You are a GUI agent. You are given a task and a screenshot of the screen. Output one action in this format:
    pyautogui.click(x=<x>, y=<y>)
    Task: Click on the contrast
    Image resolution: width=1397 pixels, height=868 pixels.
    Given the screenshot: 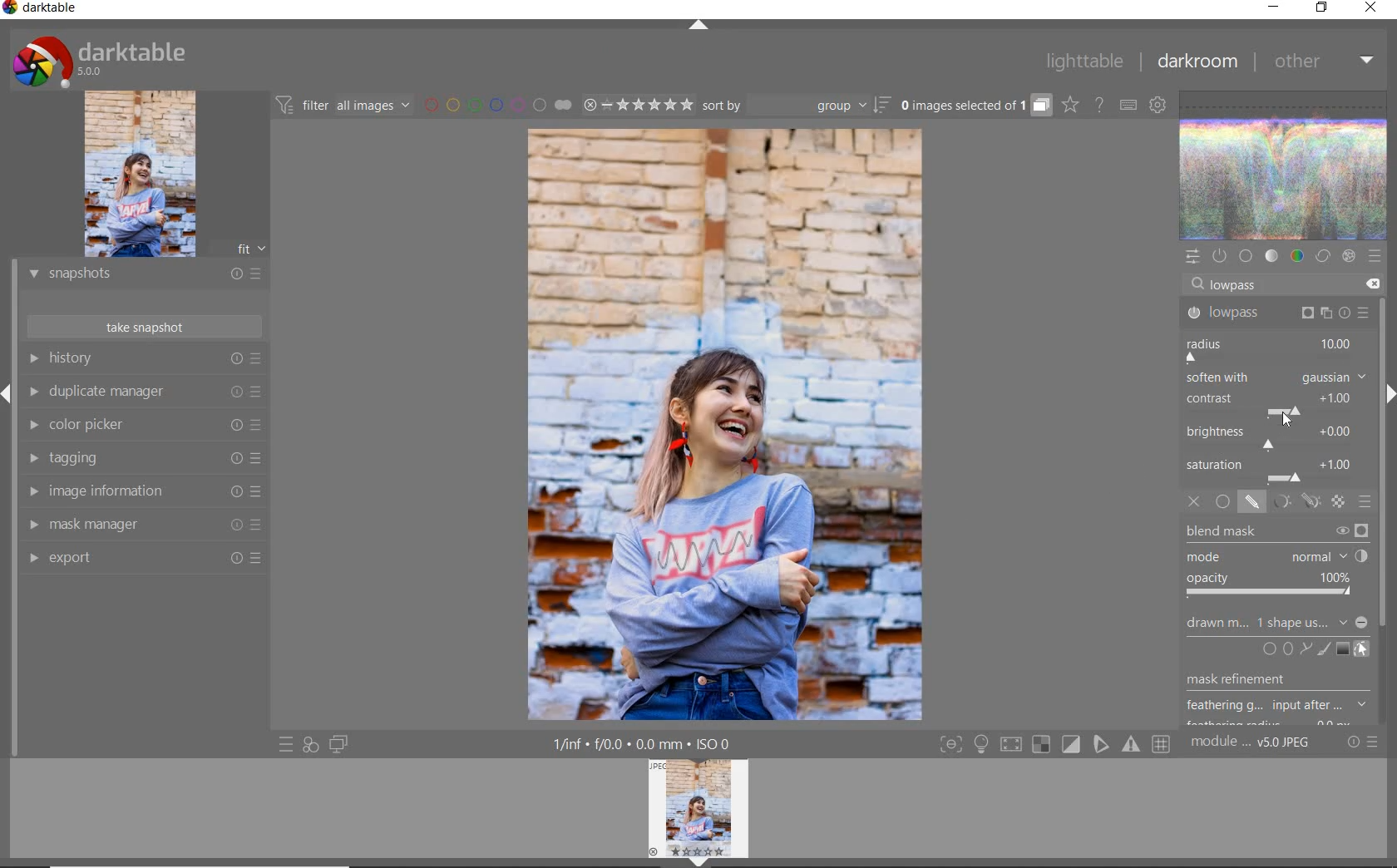 What is the action you would take?
    pyautogui.click(x=1272, y=402)
    